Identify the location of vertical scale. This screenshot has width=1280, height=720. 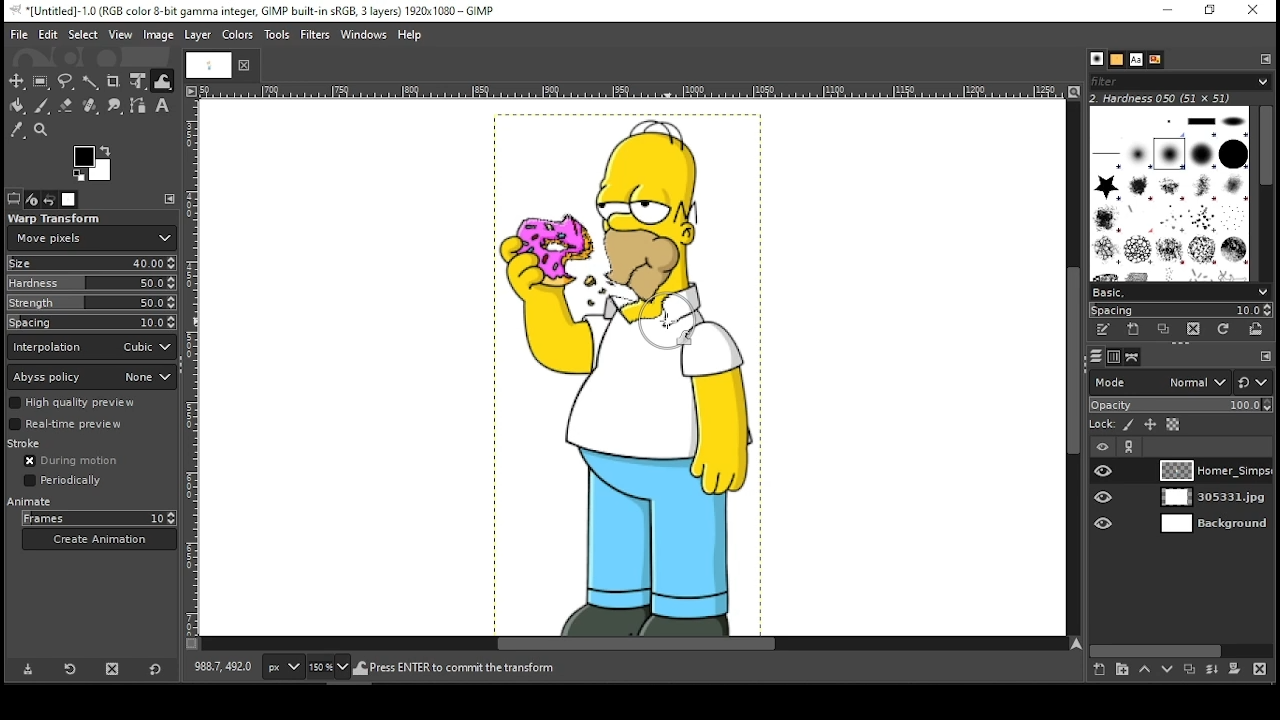
(639, 90).